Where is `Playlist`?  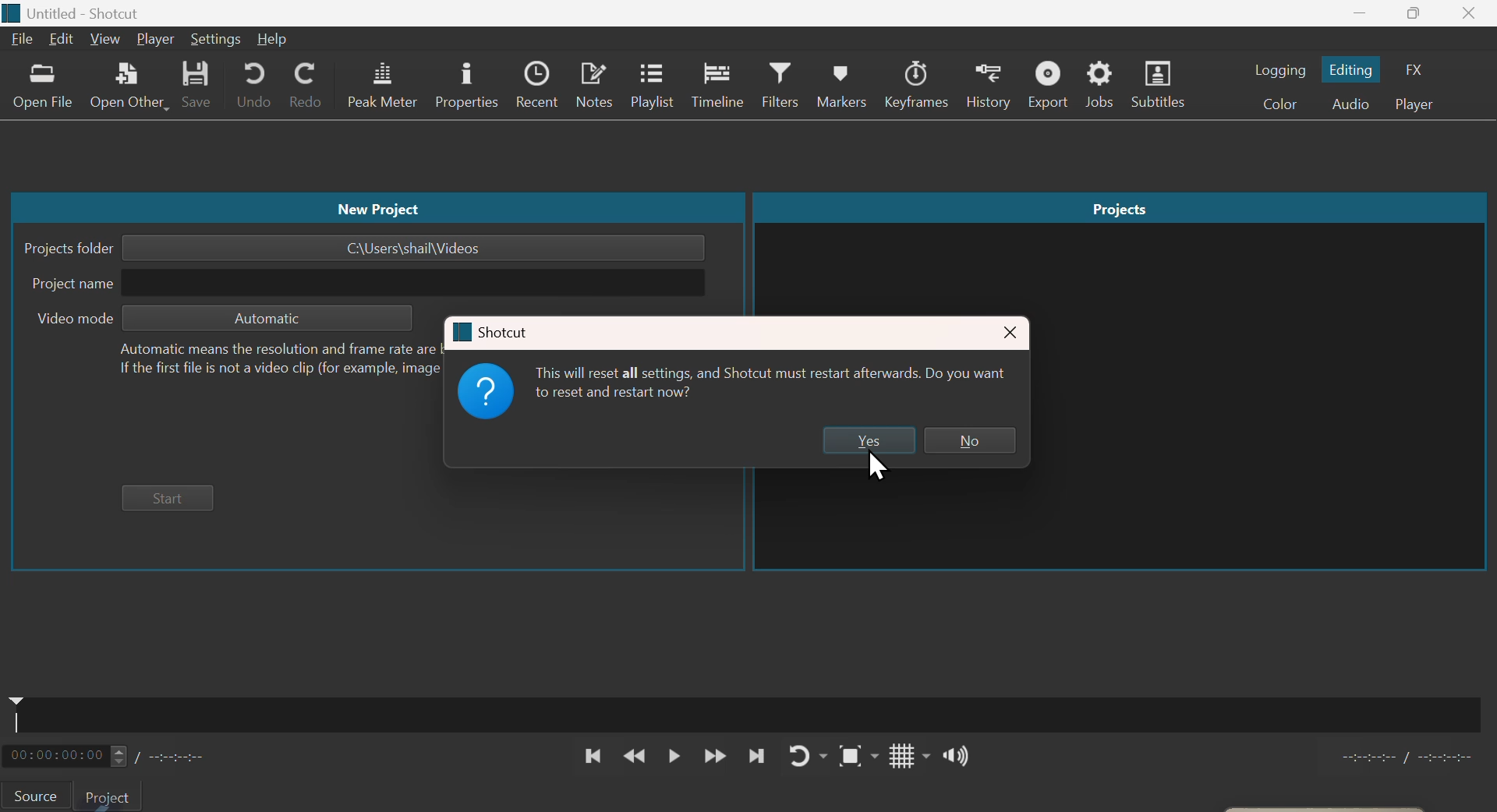
Playlist is located at coordinates (652, 86).